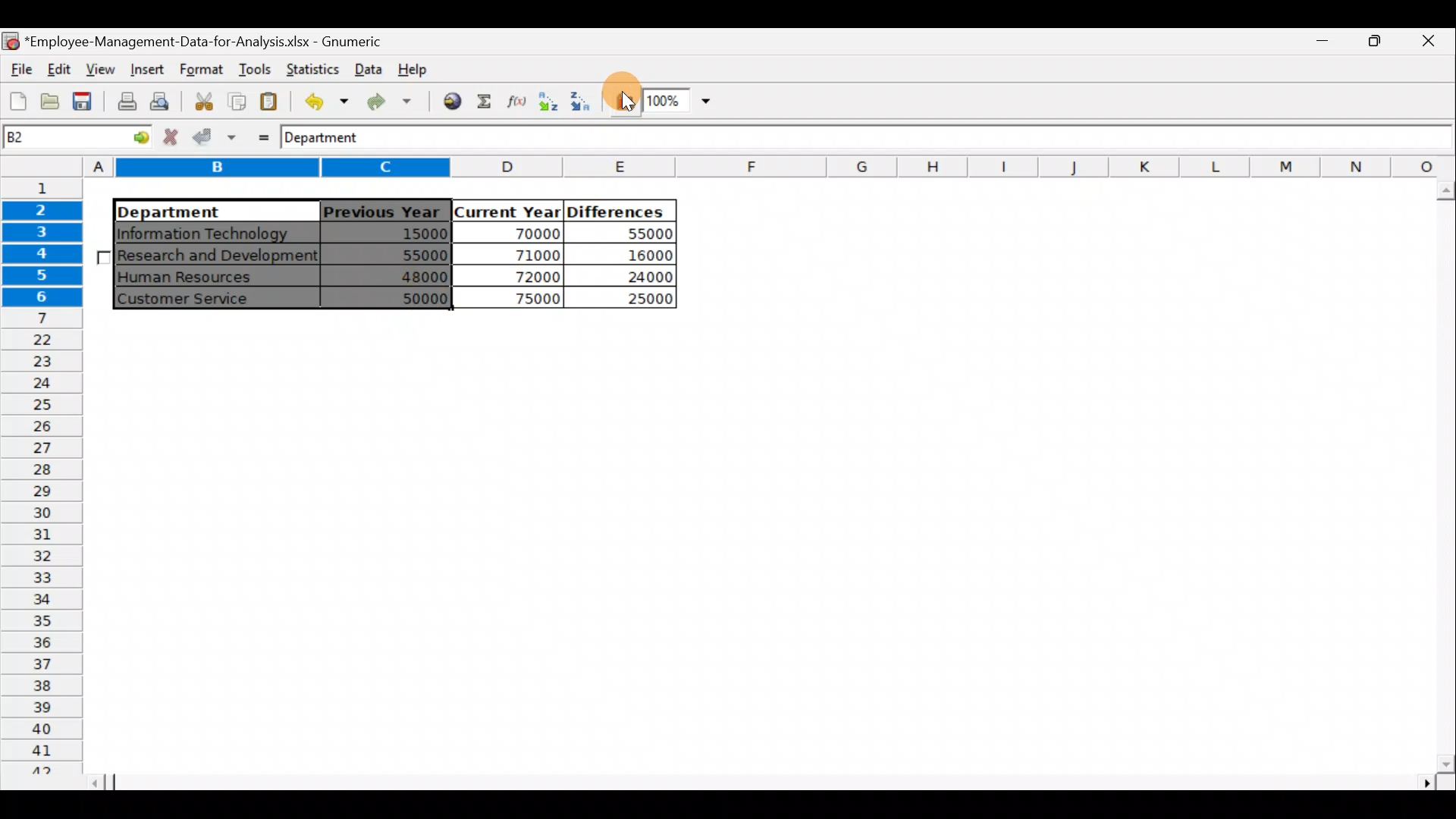 The height and width of the screenshot is (819, 1456). I want to click on 75000, so click(517, 300).